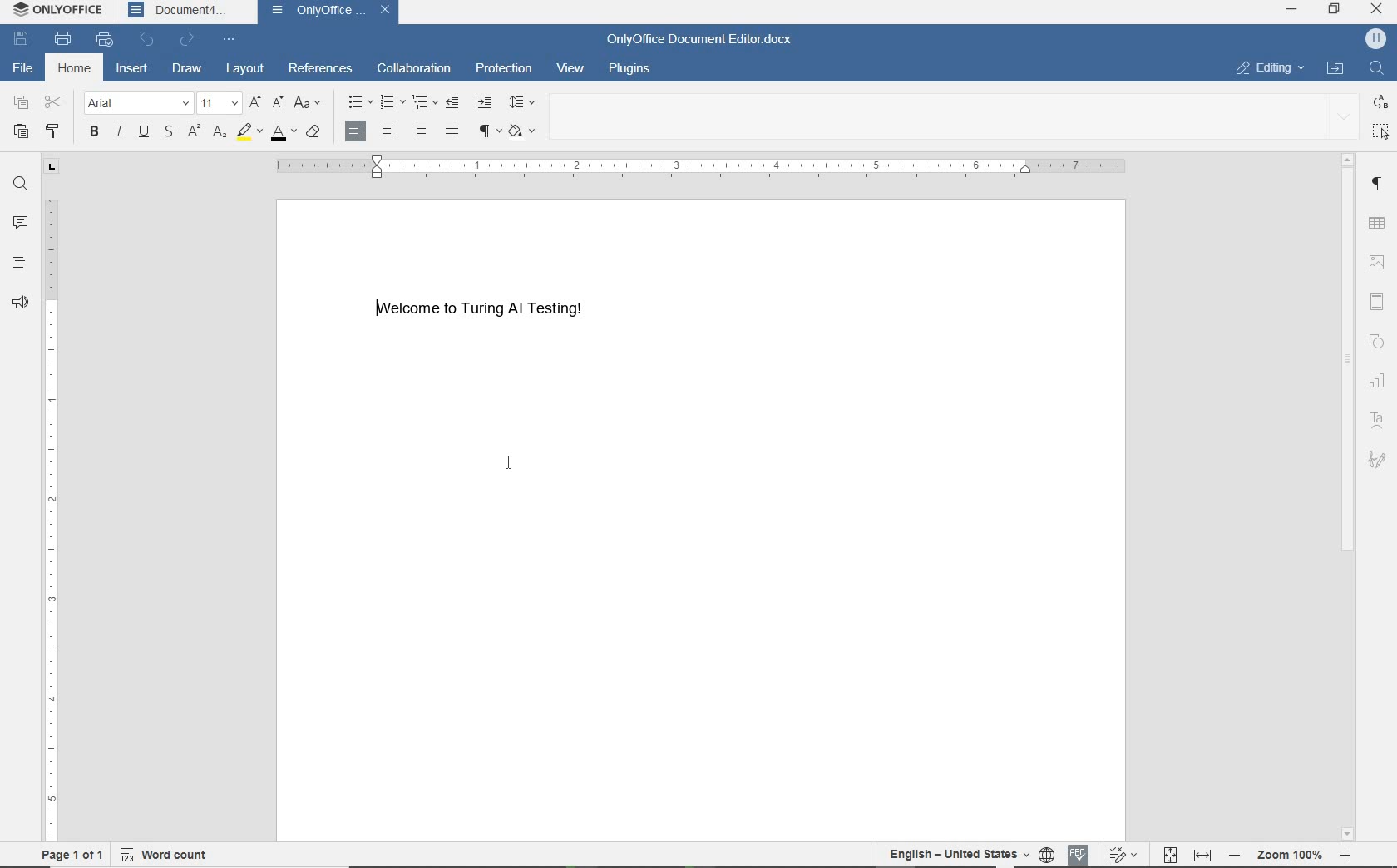 This screenshot has height=868, width=1397. I want to click on I-beam cursor, so click(511, 461).